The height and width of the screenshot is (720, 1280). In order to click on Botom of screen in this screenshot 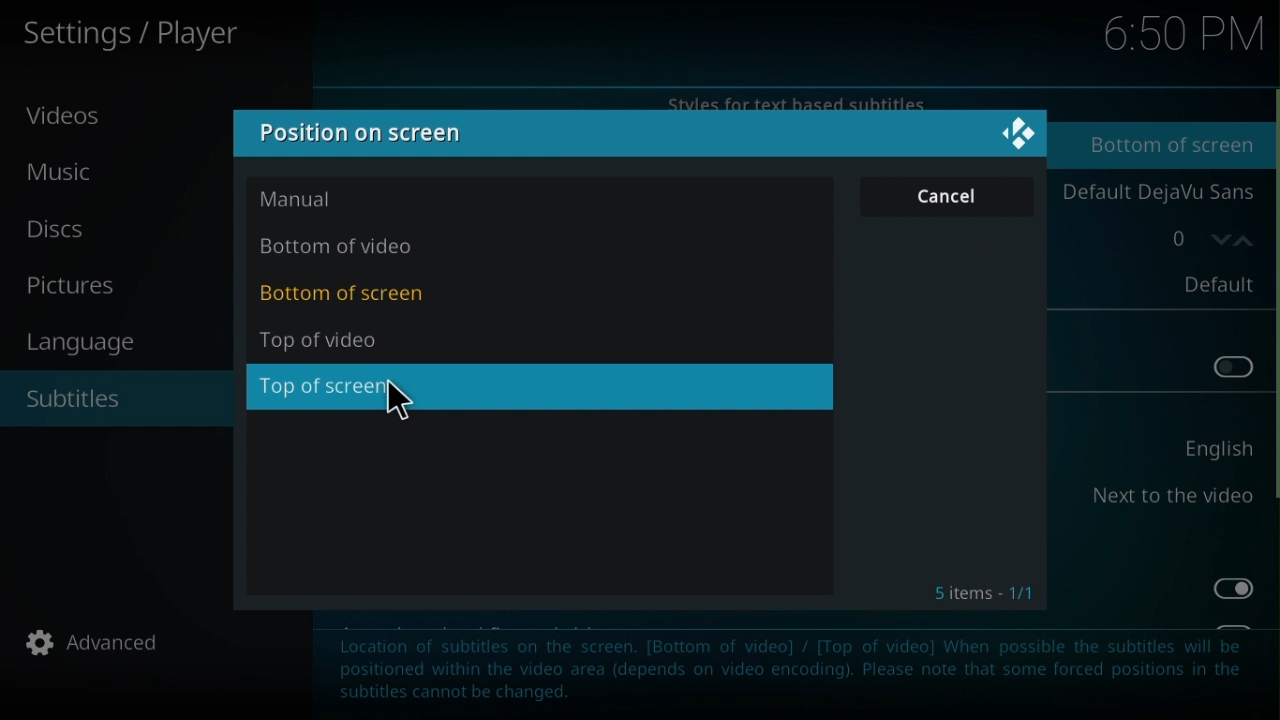, I will do `click(350, 295)`.